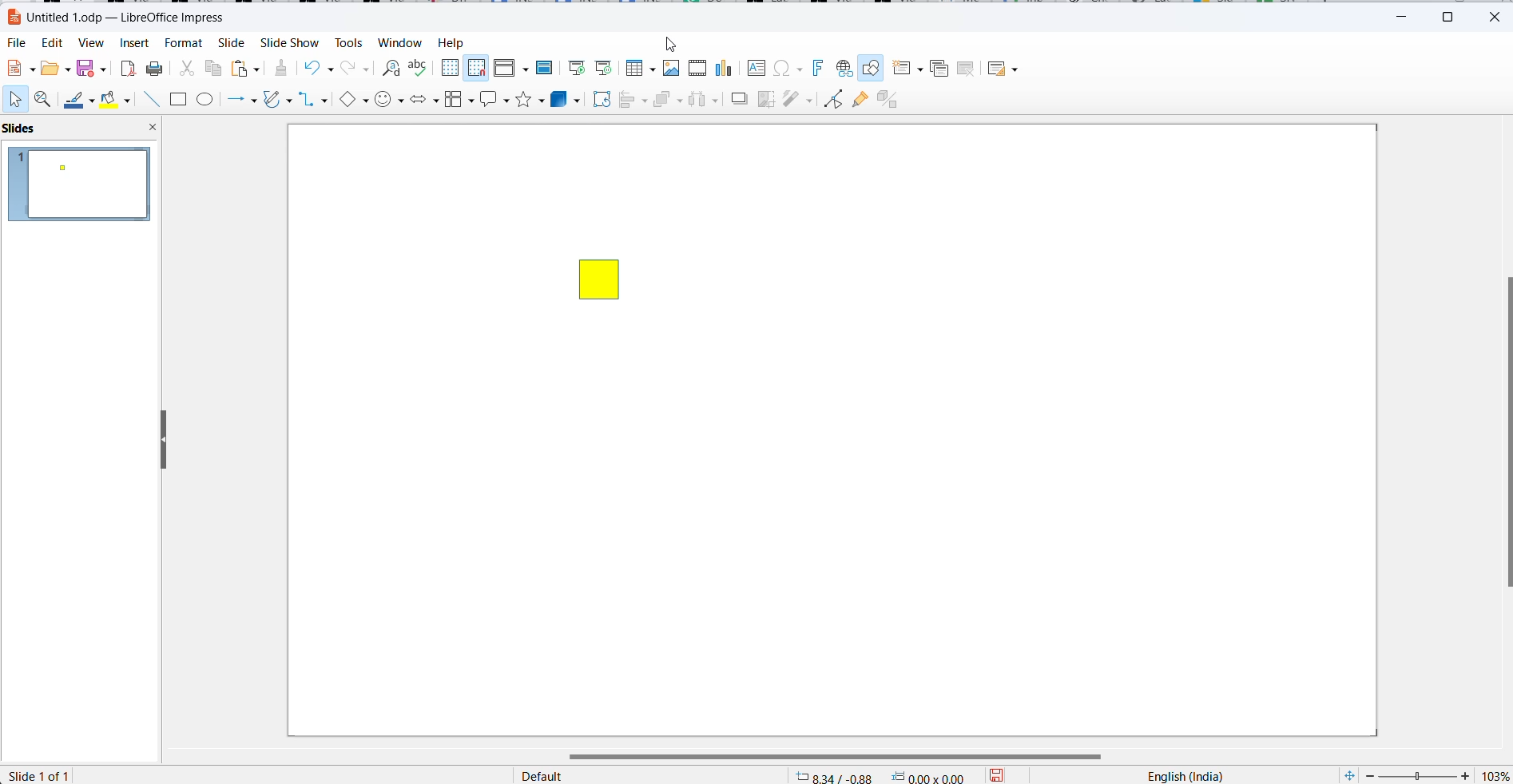 The height and width of the screenshot is (784, 1513). What do you see at coordinates (186, 71) in the screenshot?
I see `cut` at bounding box center [186, 71].